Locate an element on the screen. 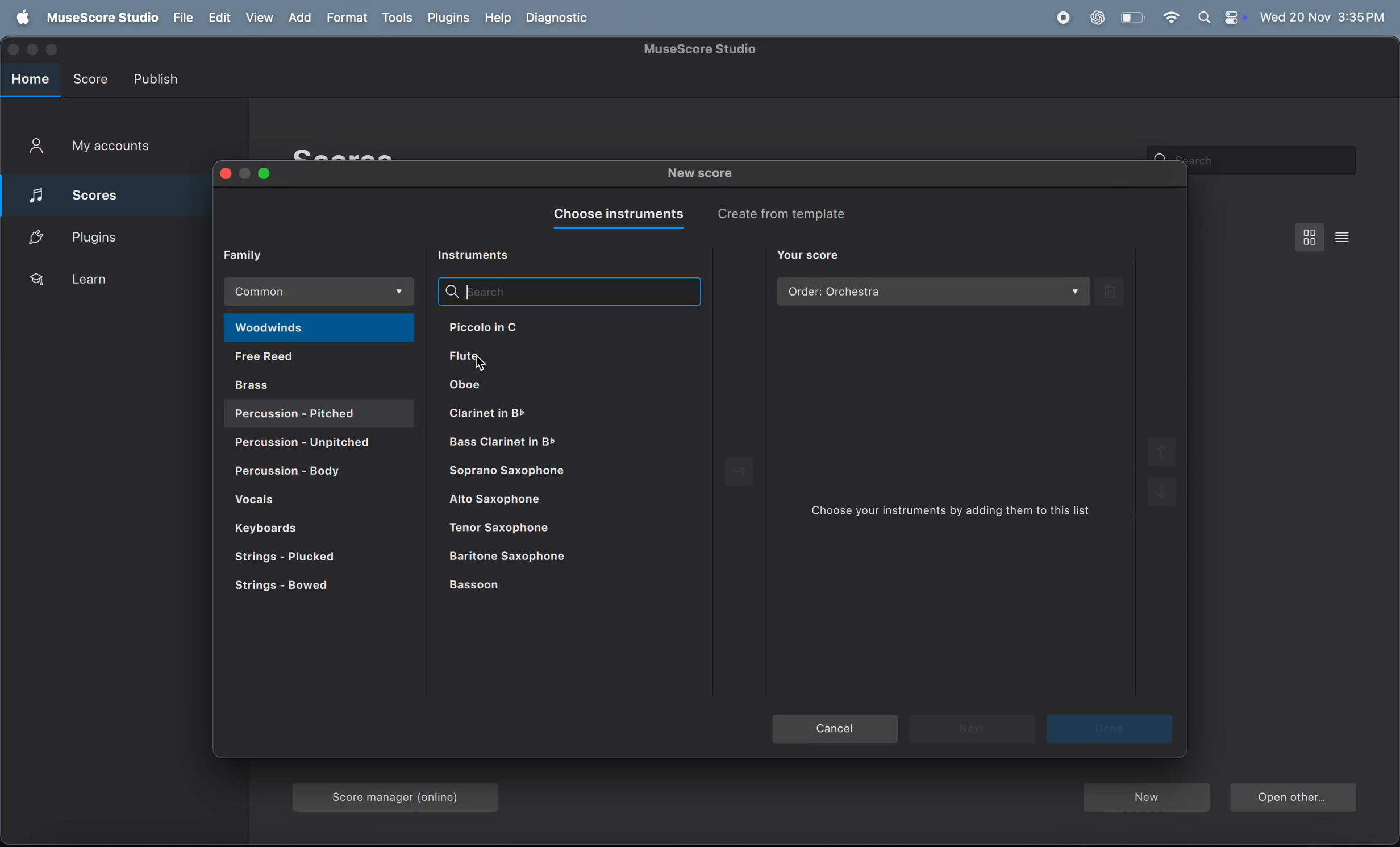  record is located at coordinates (1062, 18).